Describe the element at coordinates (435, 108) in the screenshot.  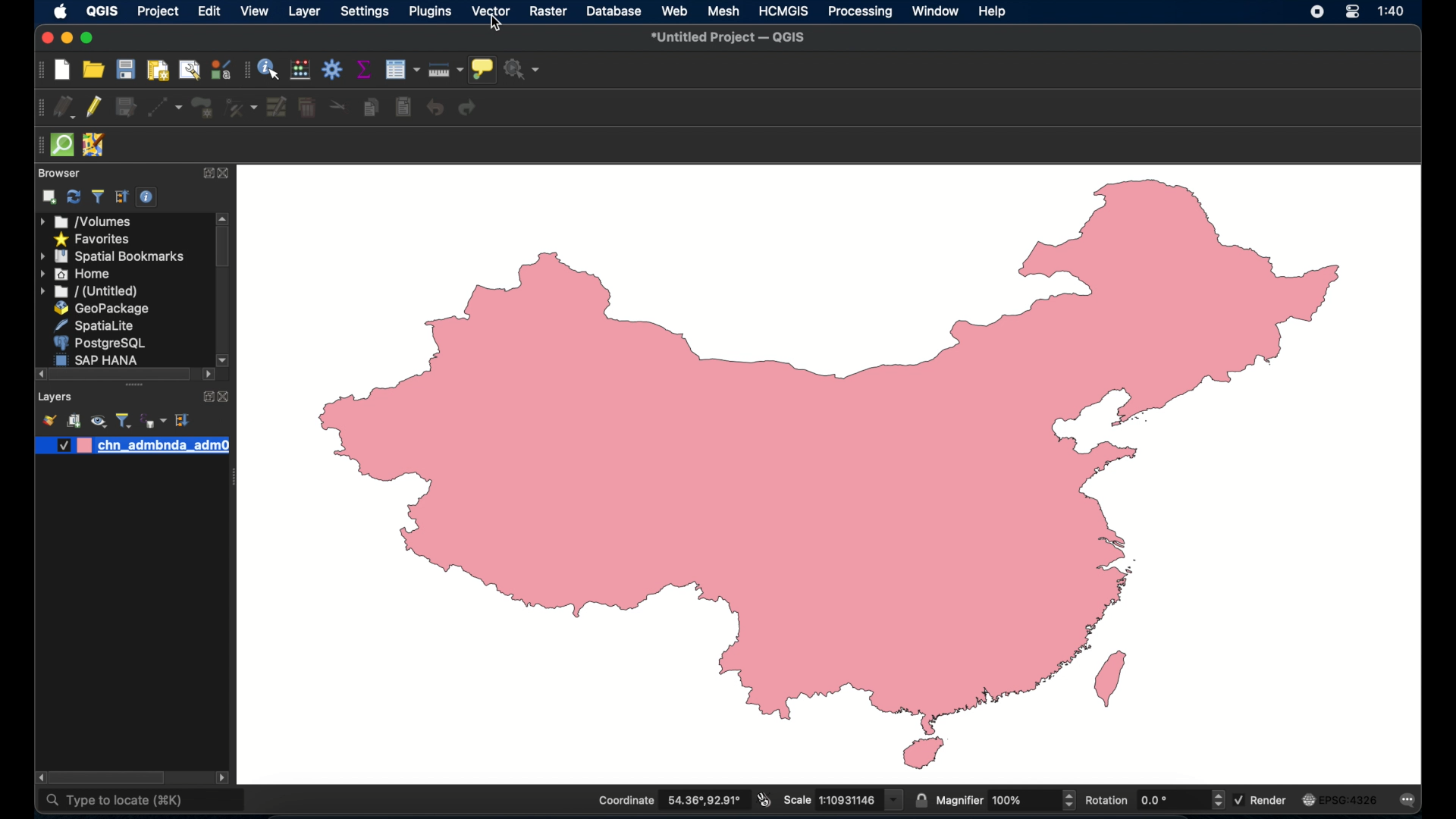
I see `undo` at that location.